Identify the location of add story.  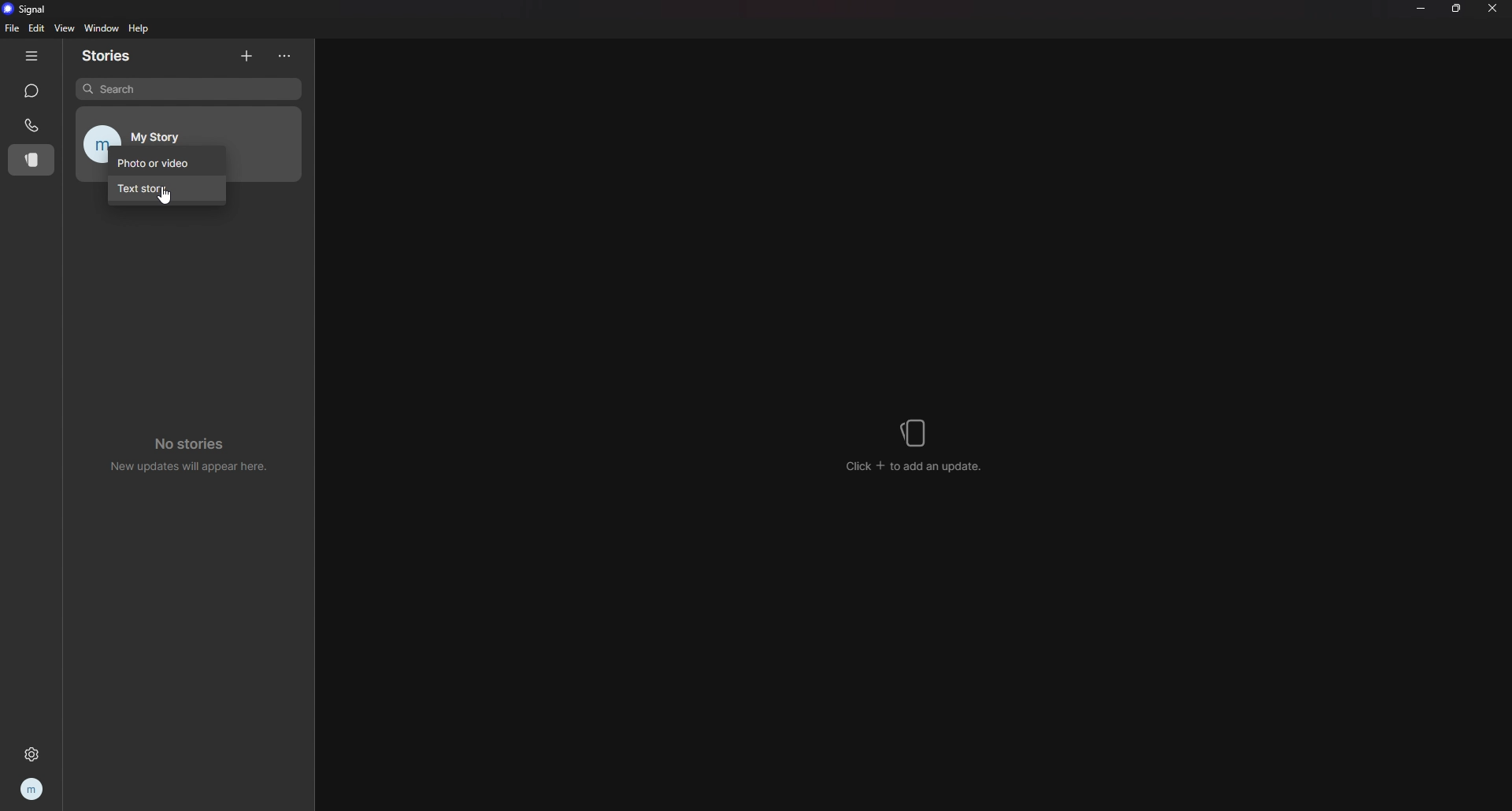
(248, 55).